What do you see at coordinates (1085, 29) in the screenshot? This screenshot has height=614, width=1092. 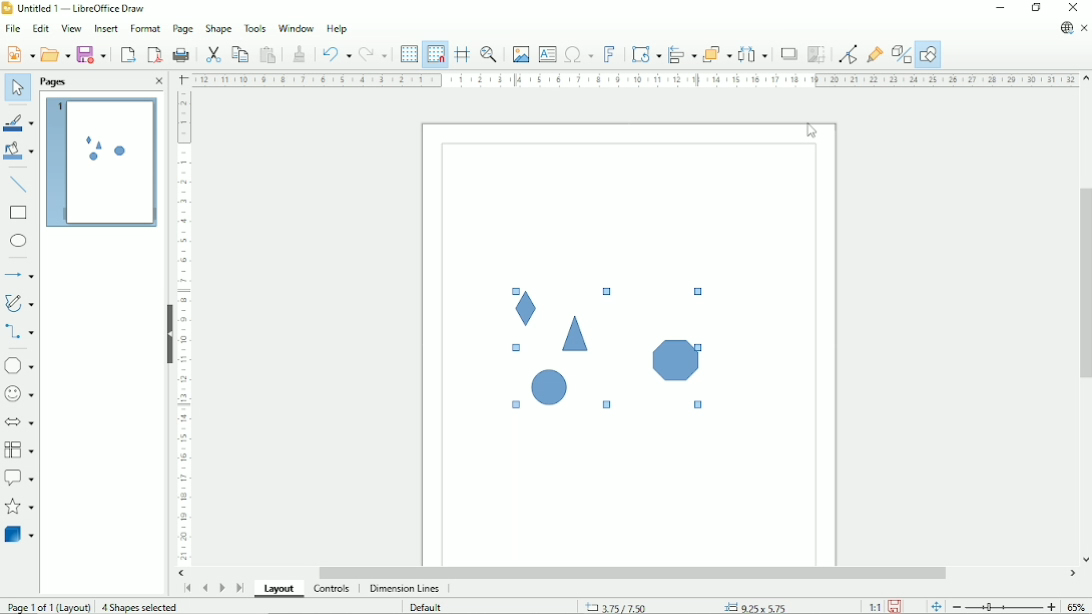 I see `Close document` at bounding box center [1085, 29].